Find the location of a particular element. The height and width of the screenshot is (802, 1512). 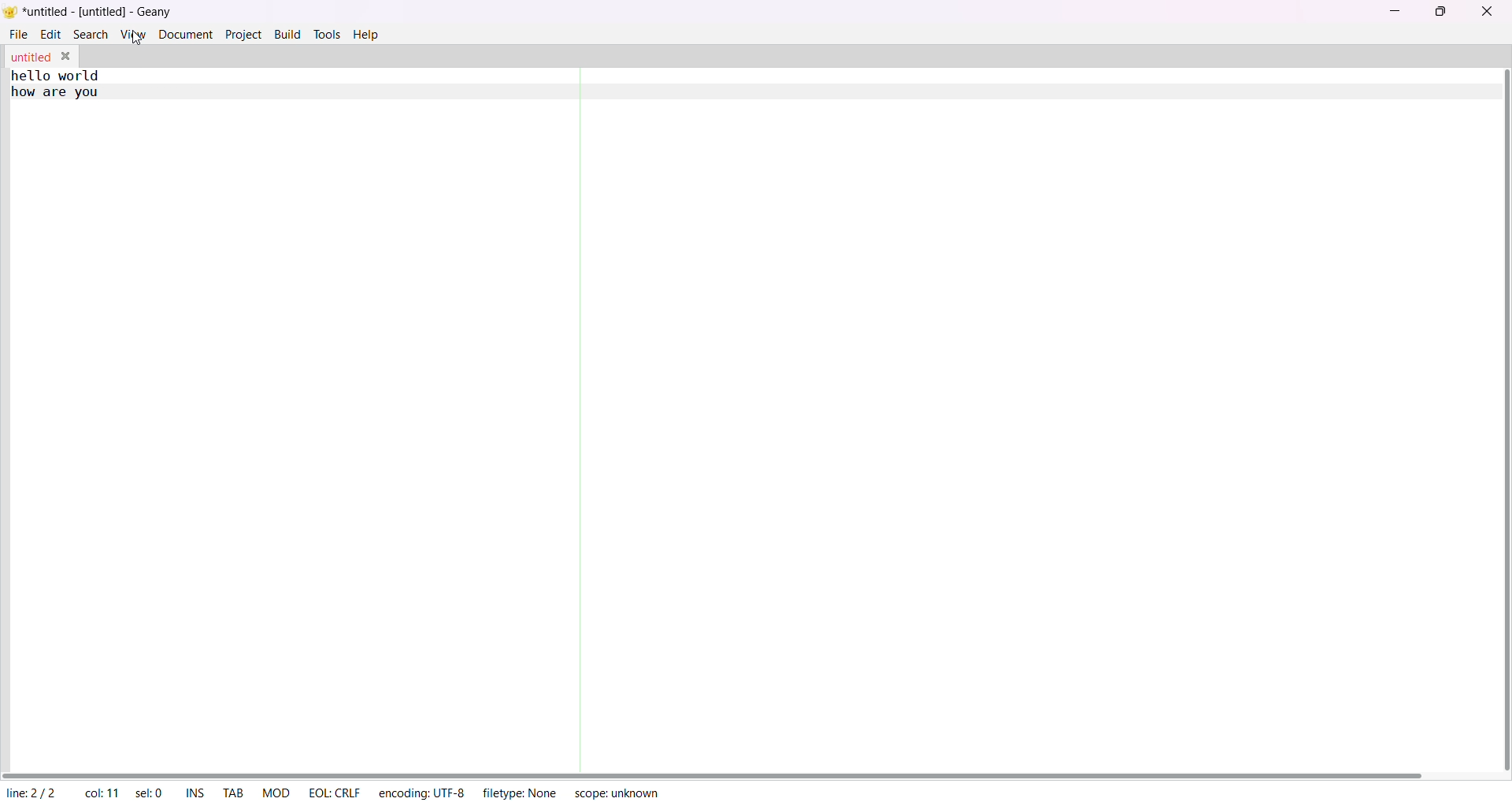

document is located at coordinates (186, 33).